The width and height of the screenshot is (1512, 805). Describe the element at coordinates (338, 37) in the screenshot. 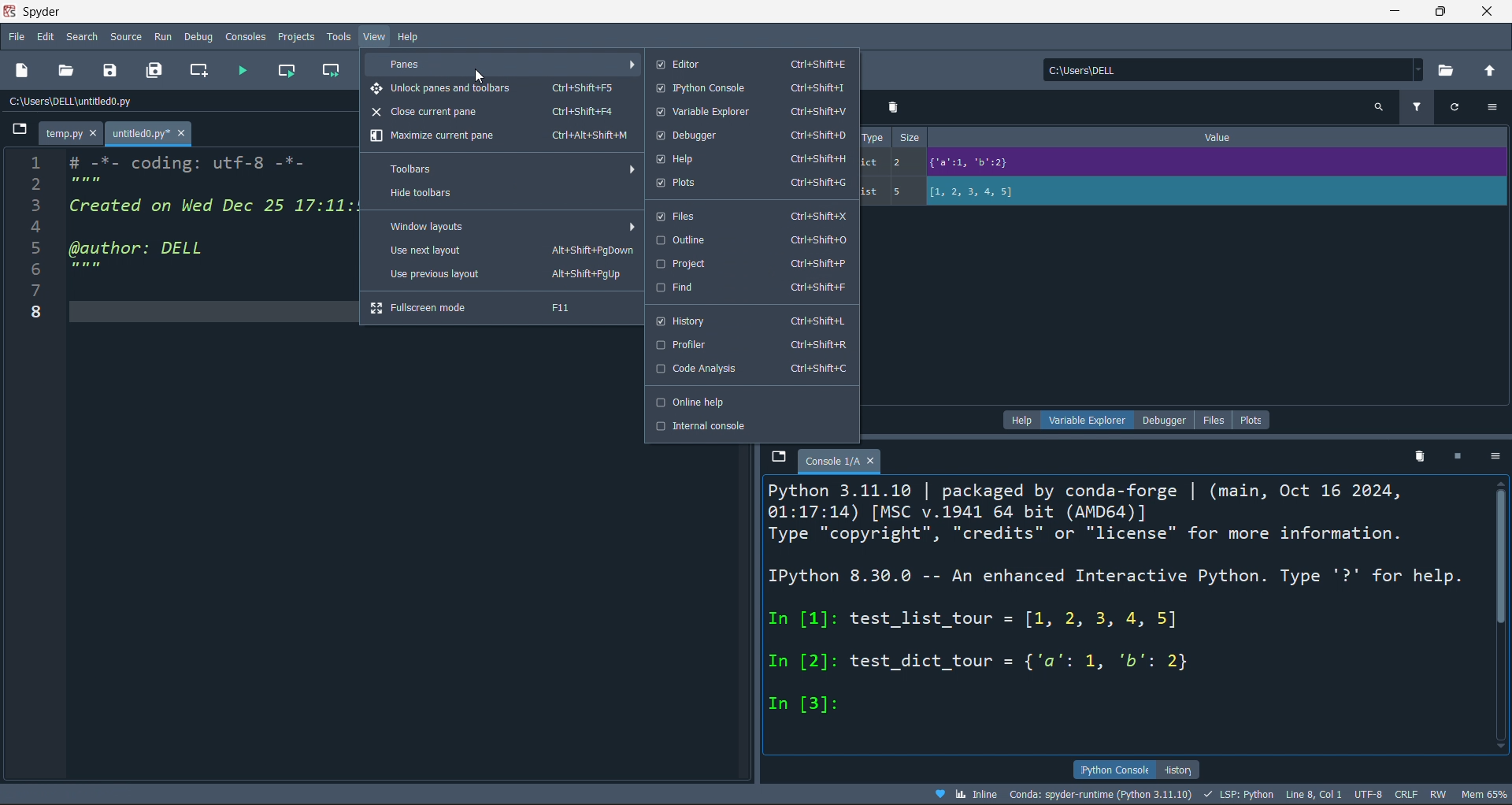

I see `tools` at that location.